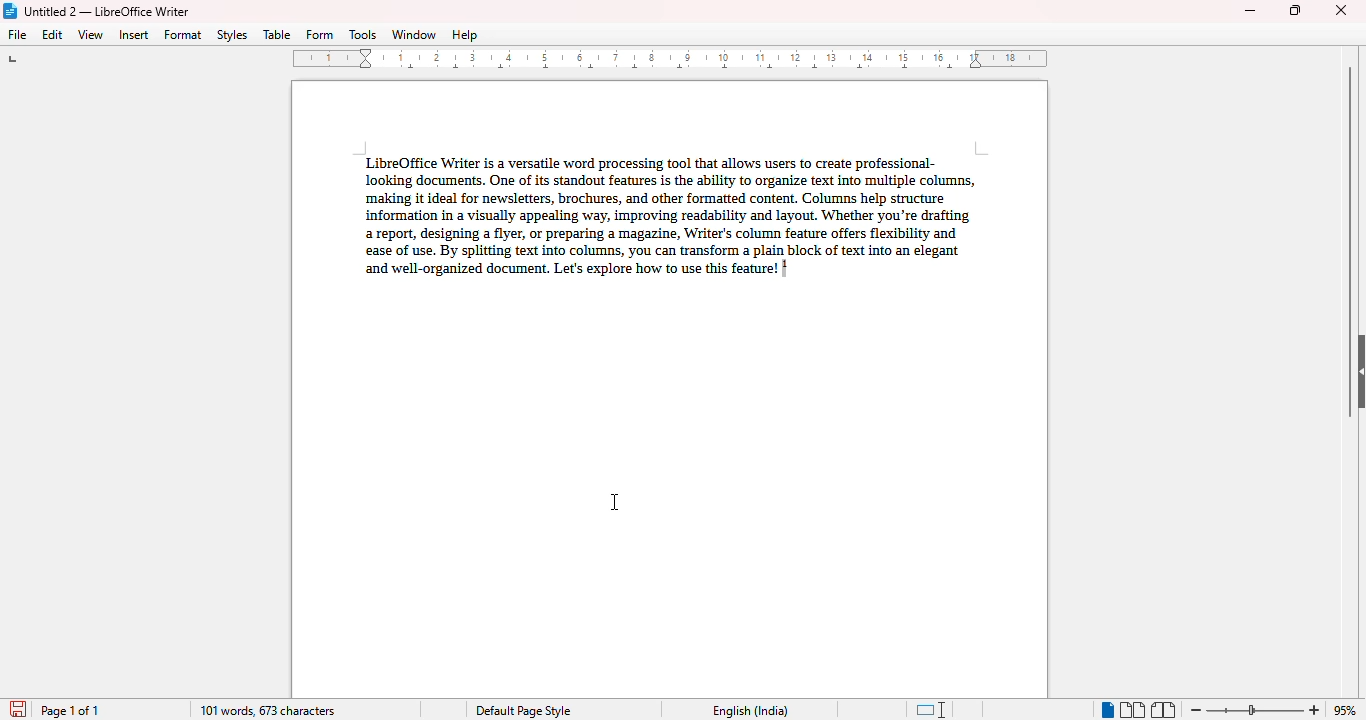 Image resolution: width=1366 pixels, height=720 pixels. I want to click on format, so click(183, 34).